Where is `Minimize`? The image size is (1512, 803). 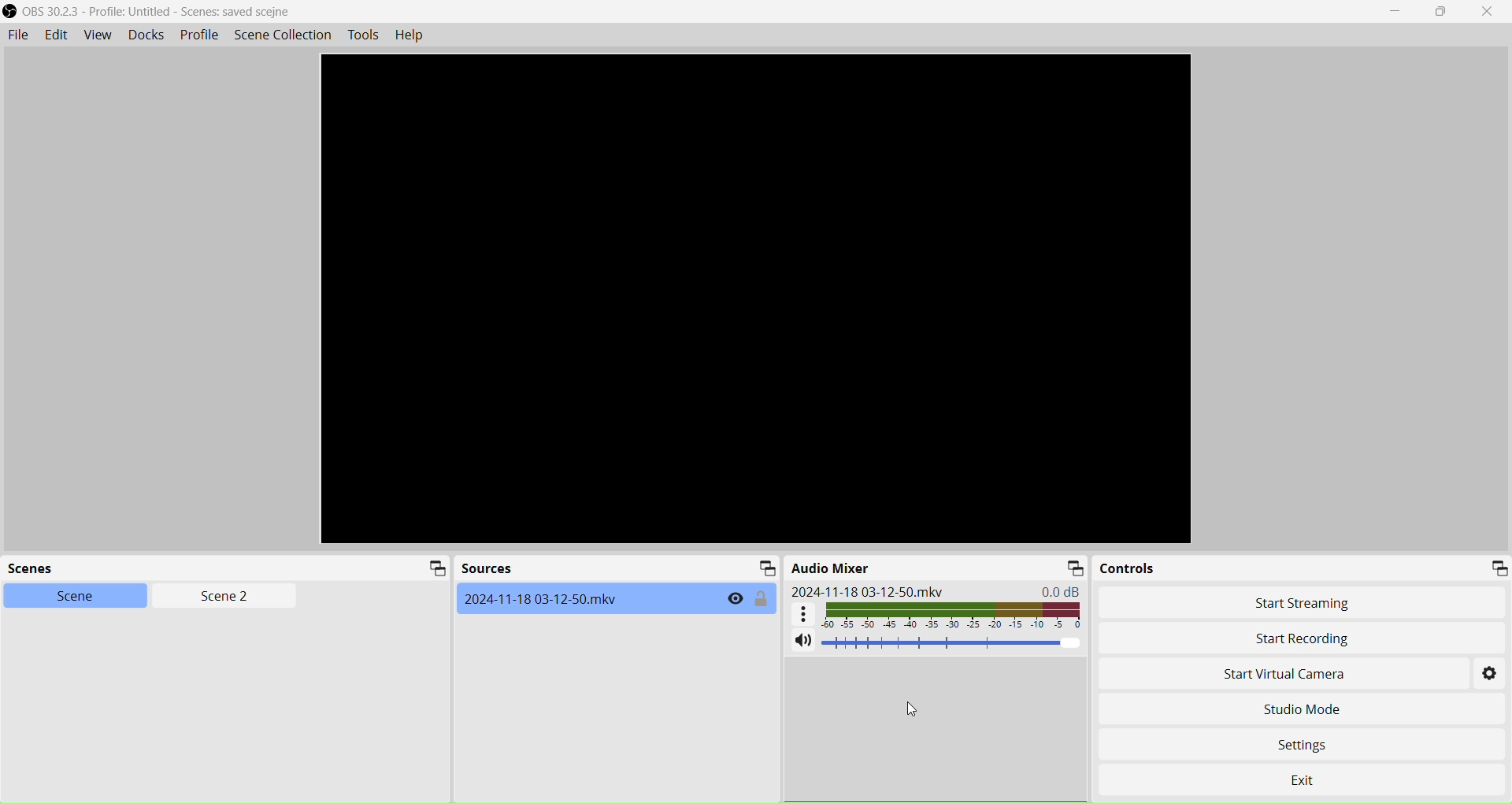
Minimize is located at coordinates (1399, 12).